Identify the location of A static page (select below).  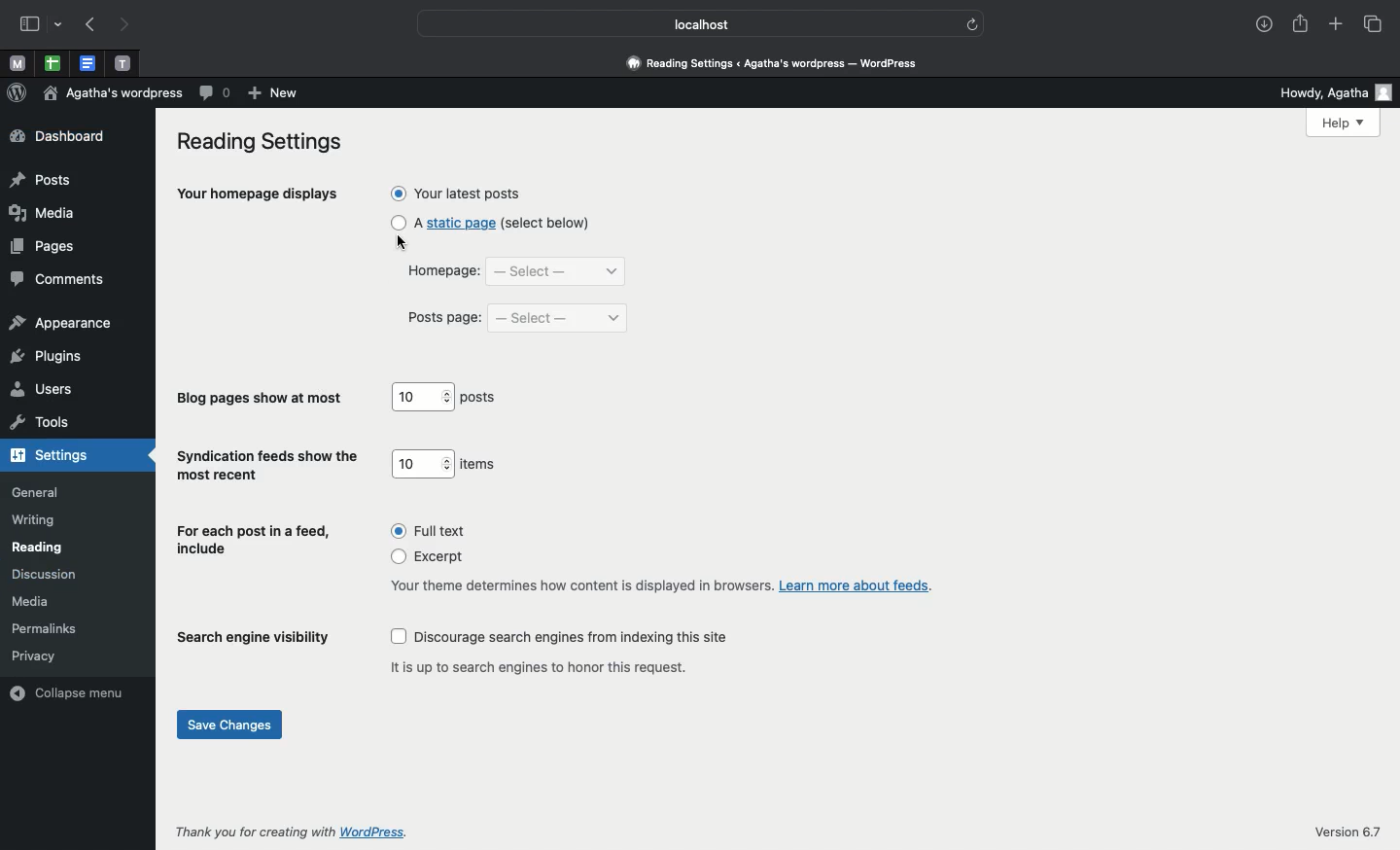
(492, 223).